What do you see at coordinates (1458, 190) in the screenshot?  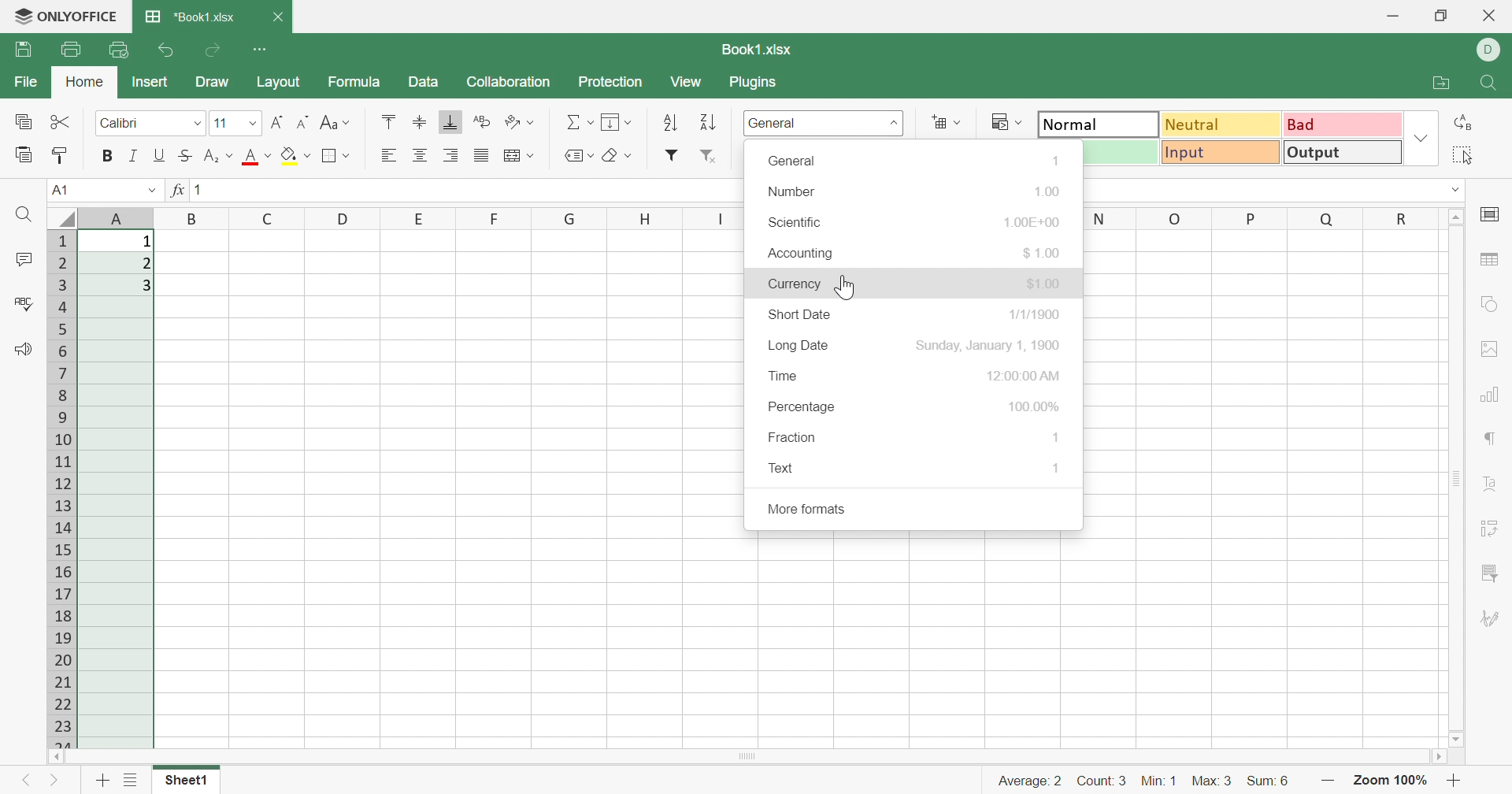 I see `Drop down` at bounding box center [1458, 190].